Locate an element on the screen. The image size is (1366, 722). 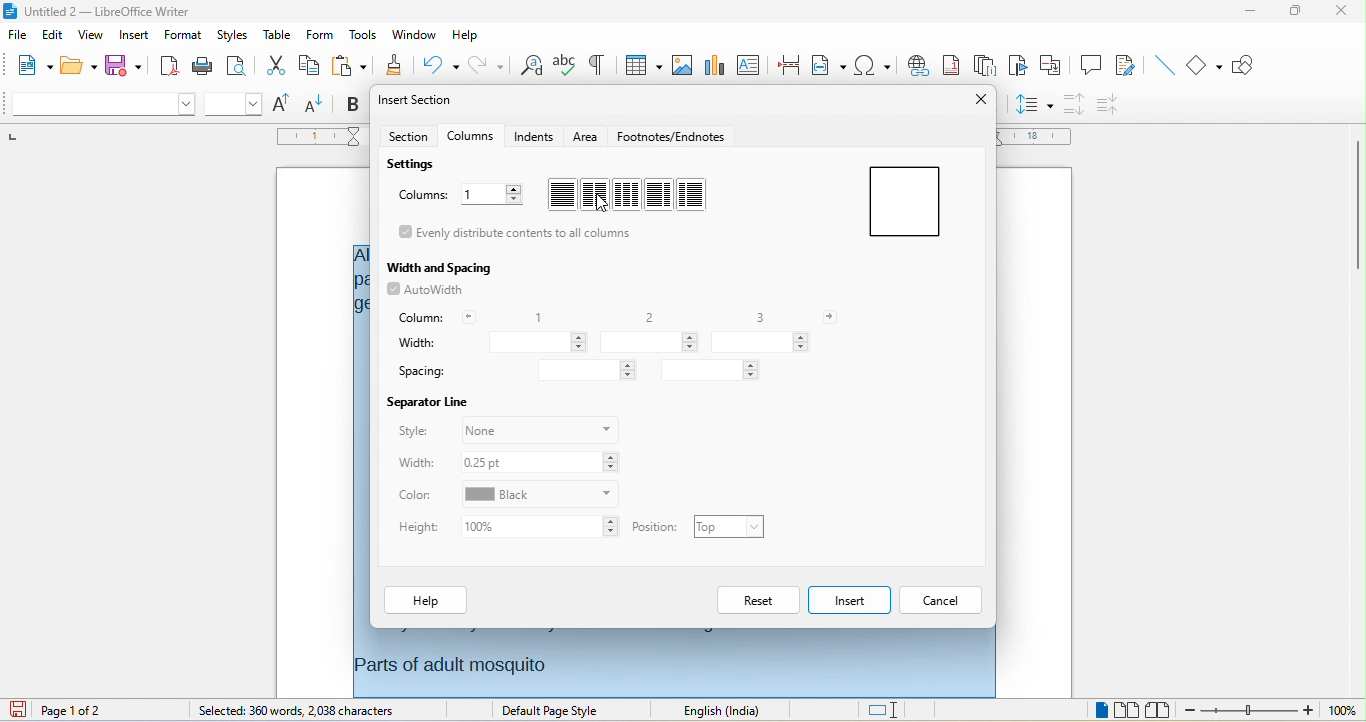
2 column with different size(left>right) is located at coordinates (660, 195).